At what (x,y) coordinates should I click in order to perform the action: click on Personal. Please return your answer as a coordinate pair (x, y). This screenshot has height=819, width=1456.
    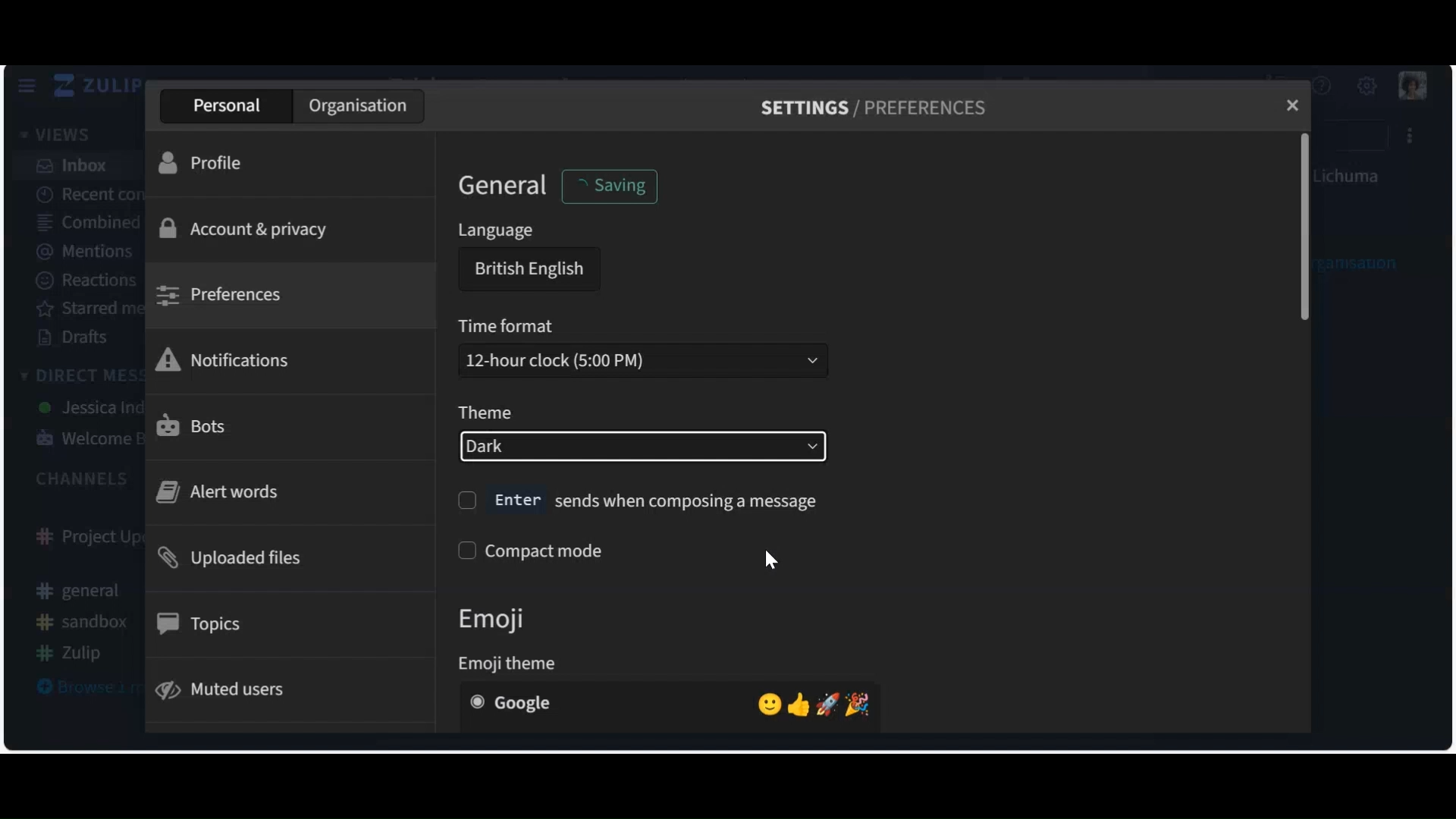
    Looking at the image, I should click on (226, 107).